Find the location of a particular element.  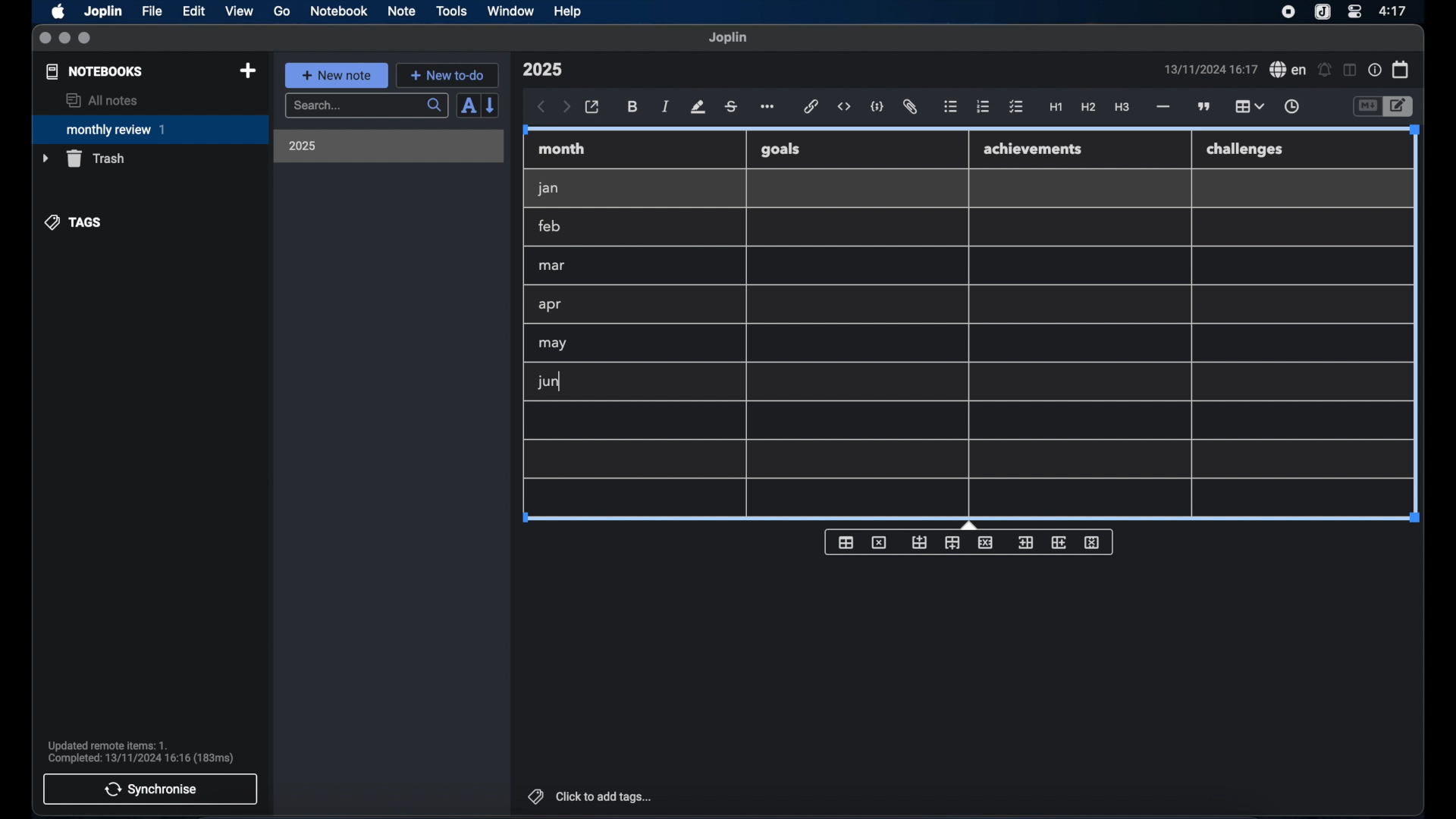

notebook is located at coordinates (339, 11).